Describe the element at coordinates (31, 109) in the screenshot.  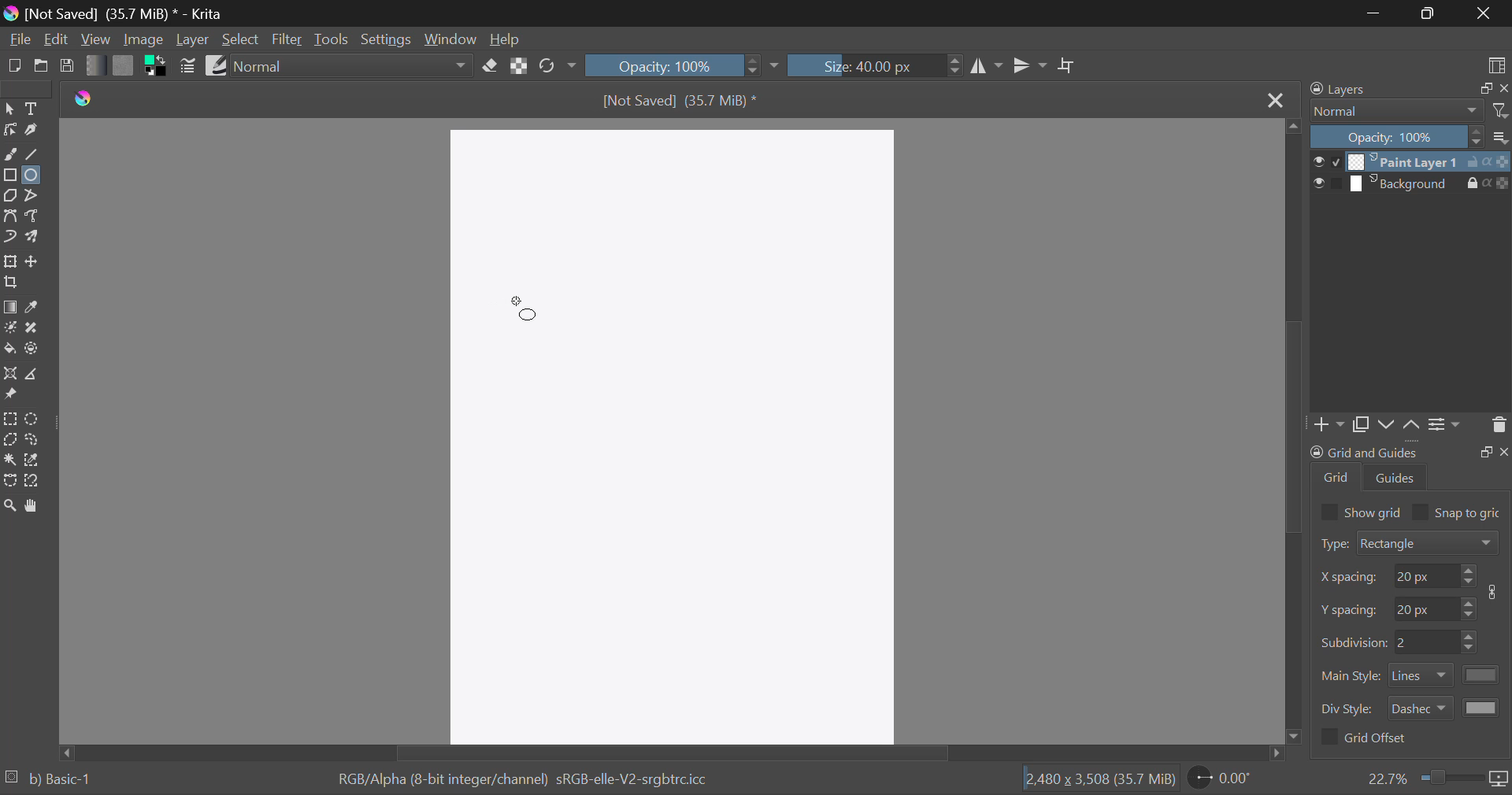
I see `Text` at that location.